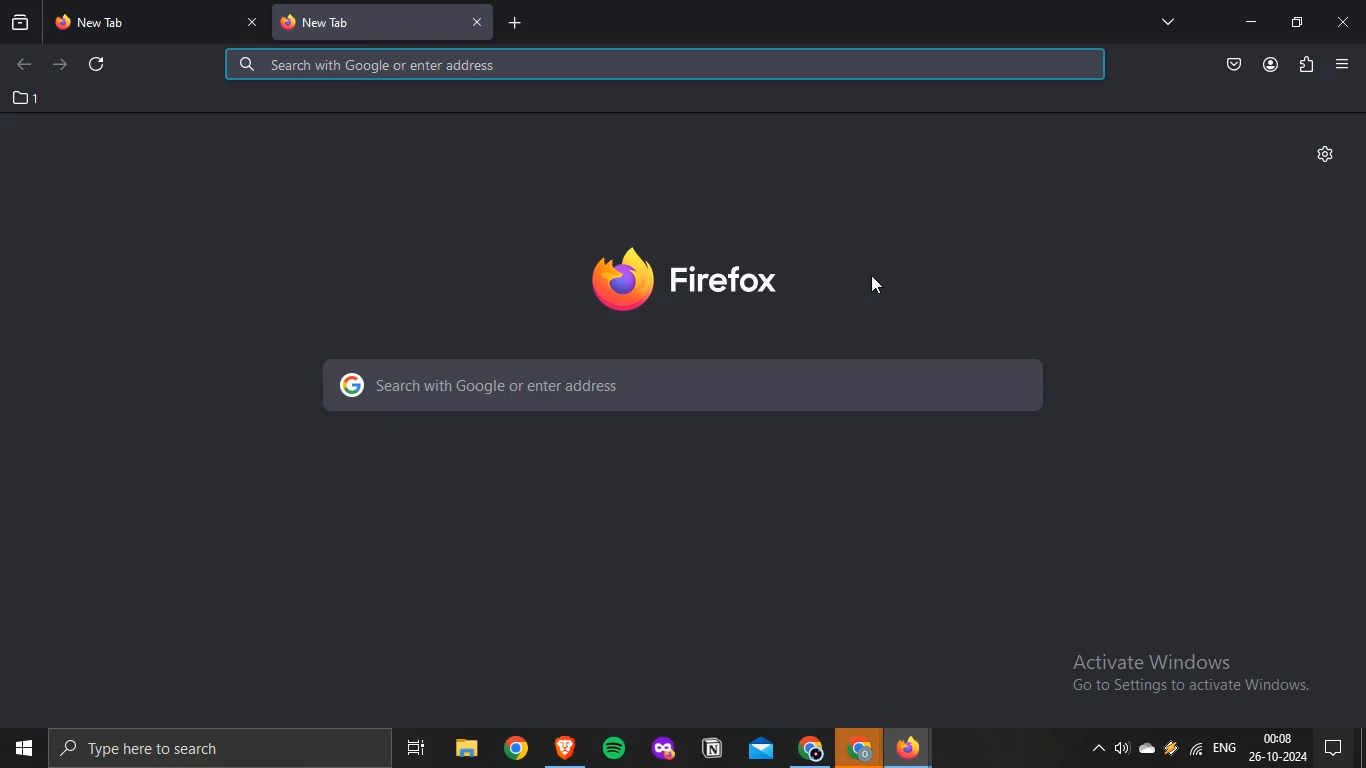 This screenshot has width=1366, height=768. Describe the element at coordinates (686, 279) in the screenshot. I see `firefox logo` at that location.